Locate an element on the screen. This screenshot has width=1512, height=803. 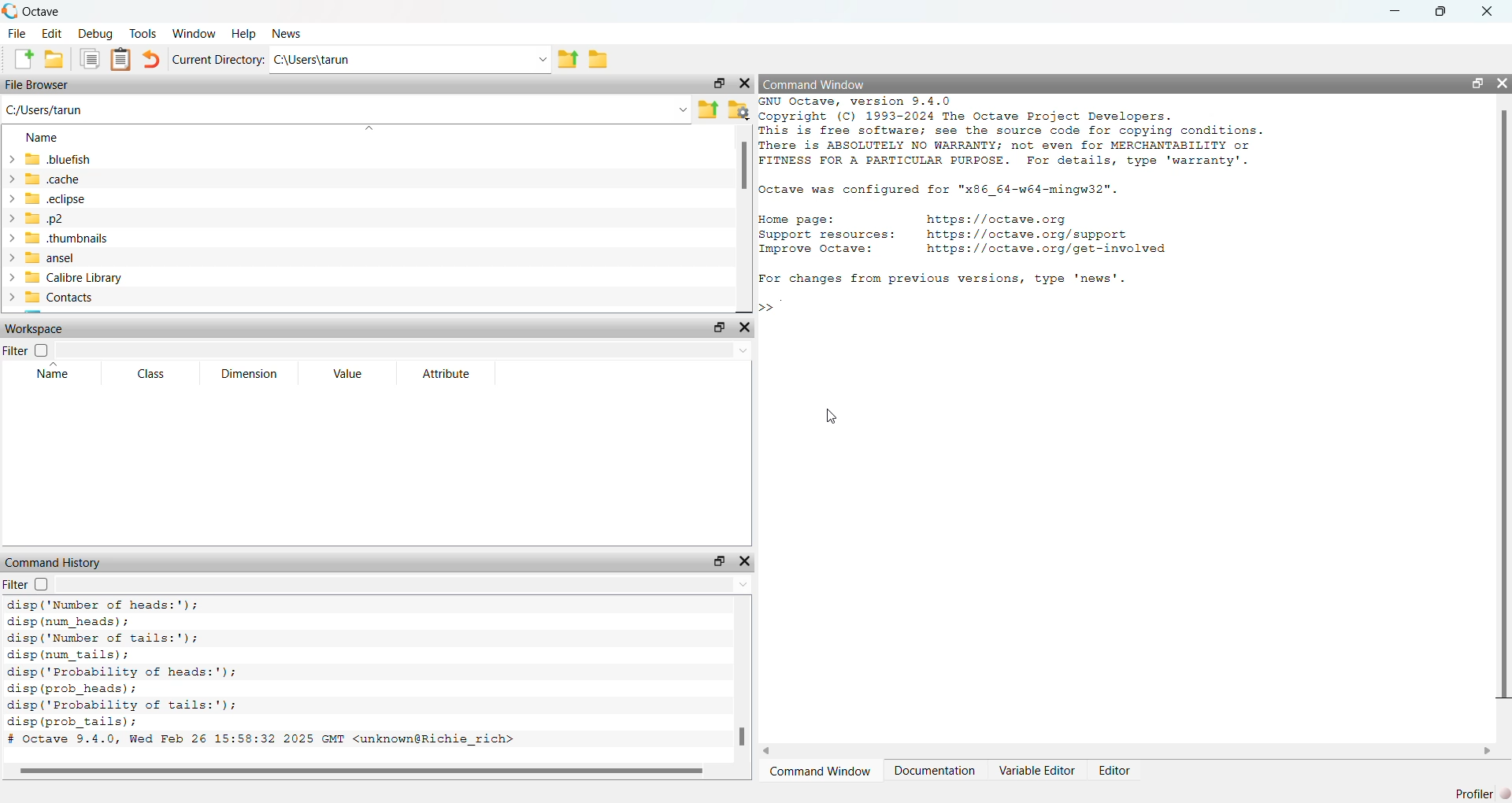
Octave is located at coordinates (42, 12).